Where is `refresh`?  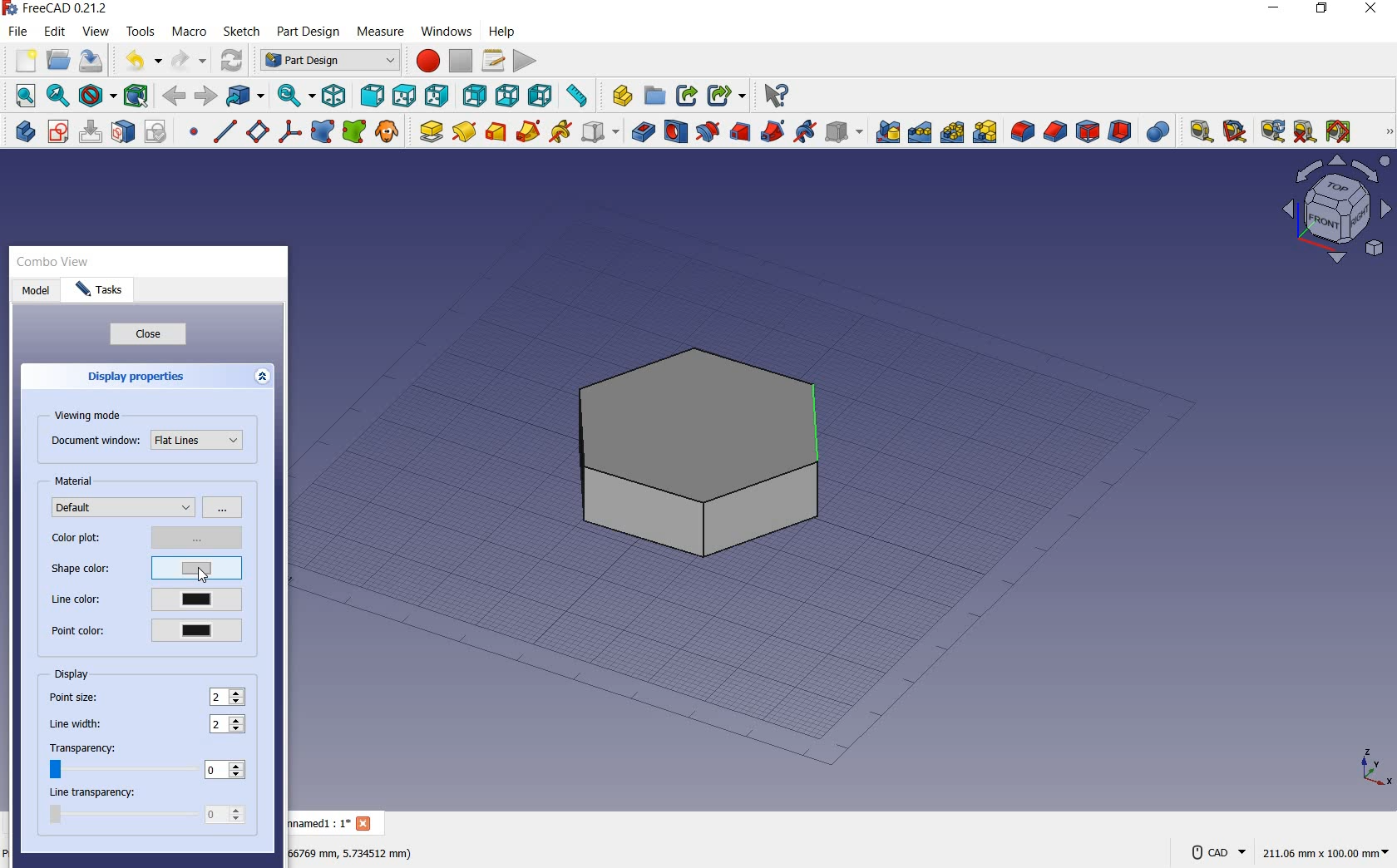
refresh is located at coordinates (231, 61).